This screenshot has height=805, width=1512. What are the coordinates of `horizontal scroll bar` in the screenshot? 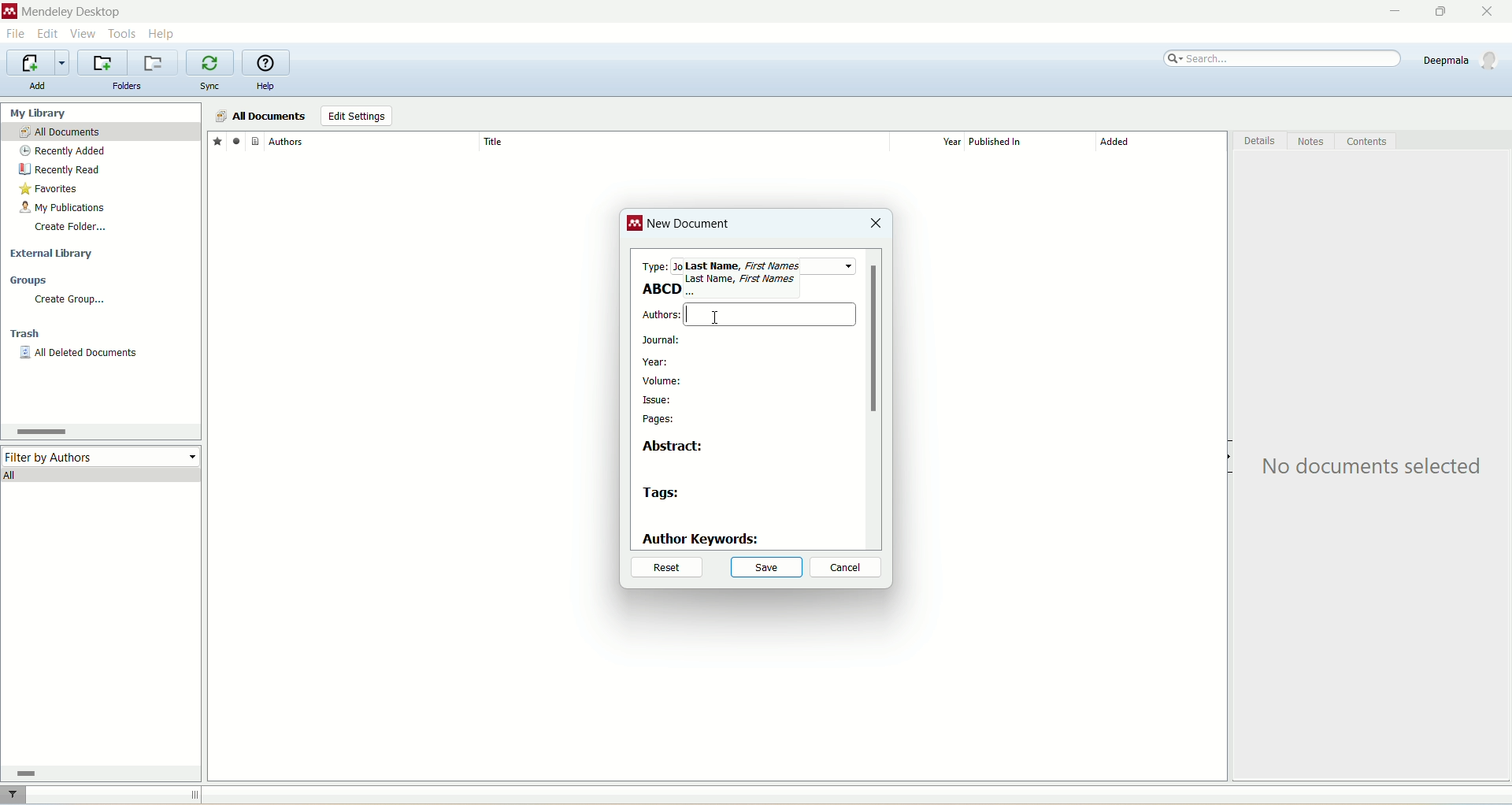 It's located at (98, 773).